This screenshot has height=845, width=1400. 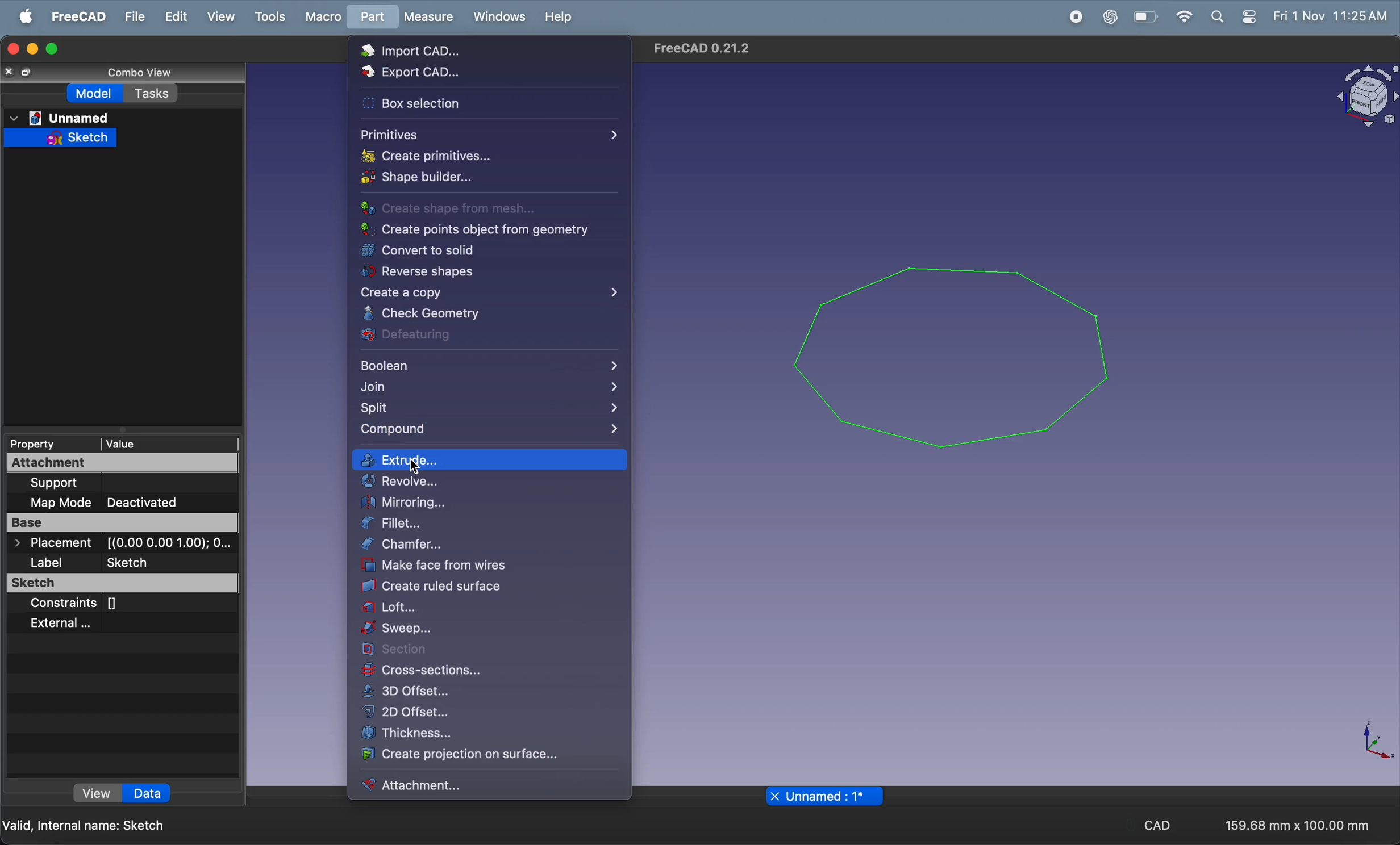 What do you see at coordinates (93, 561) in the screenshot?
I see `label` at bounding box center [93, 561].